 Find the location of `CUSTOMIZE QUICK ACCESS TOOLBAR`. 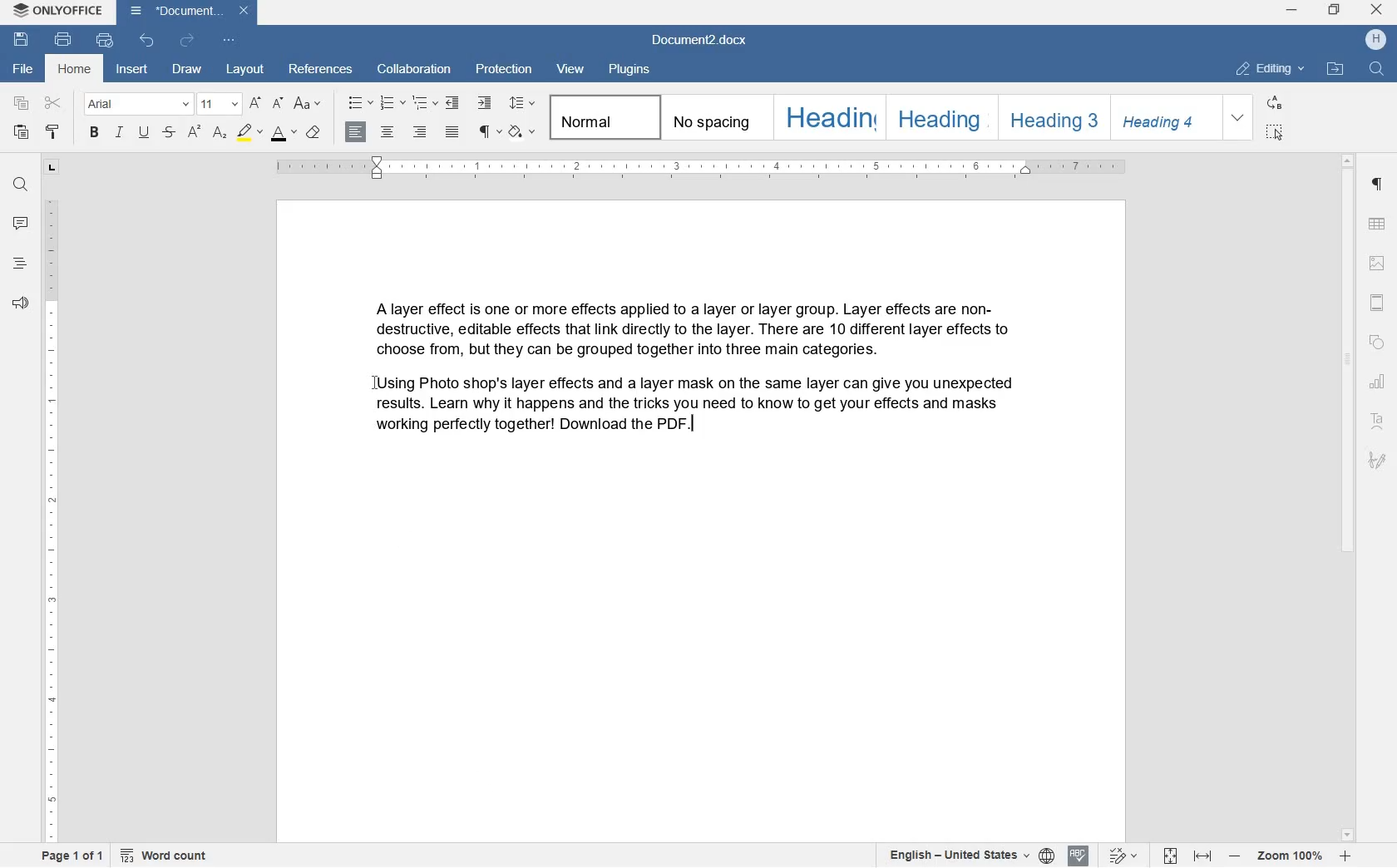

CUSTOMIZE QUICK ACCESS TOOLBAR is located at coordinates (231, 40).